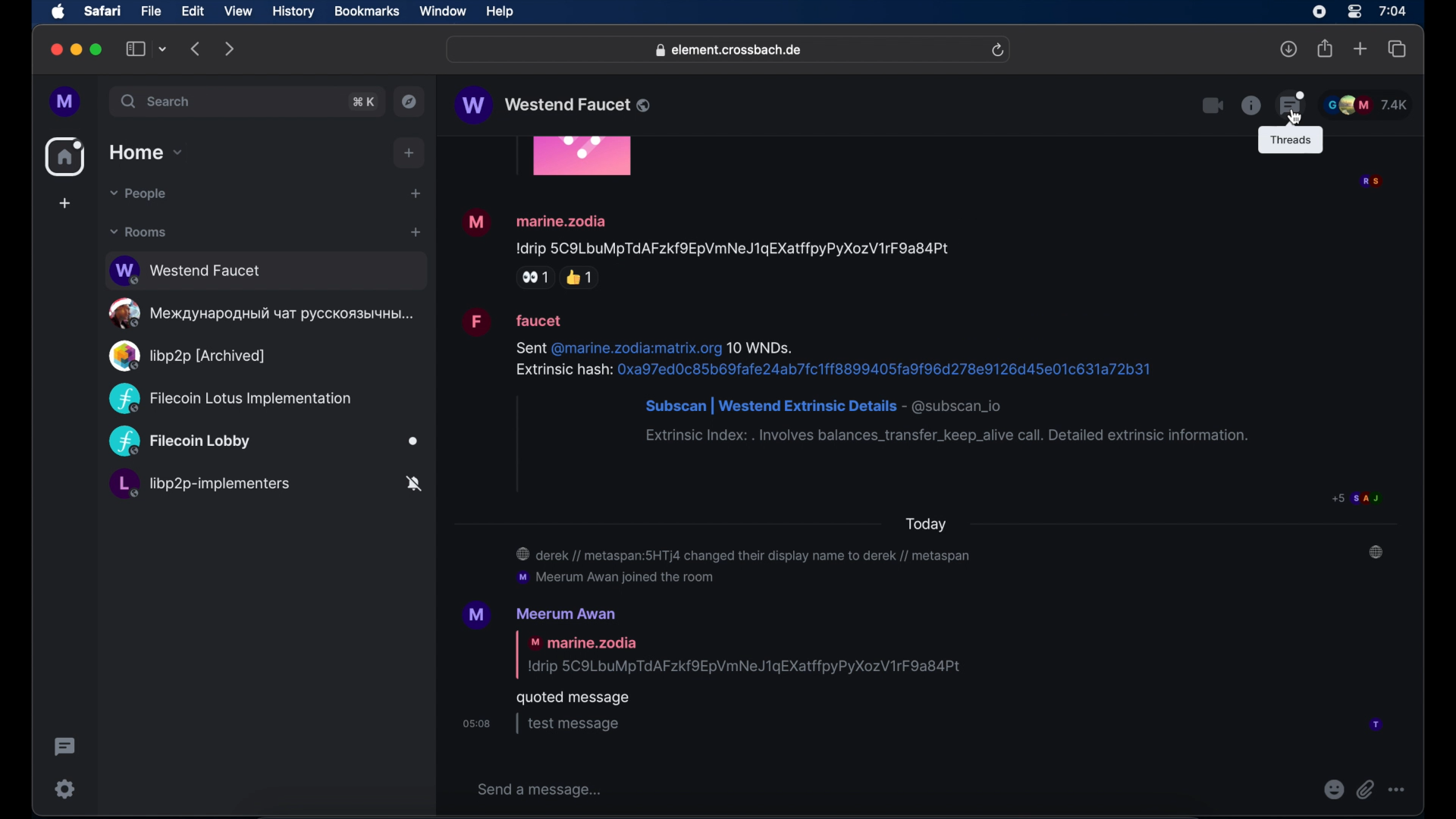 The image size is (1456, 819). Describe the element at coordinates (146, 152) in the screenshot. I see `home dropdown` at that location.